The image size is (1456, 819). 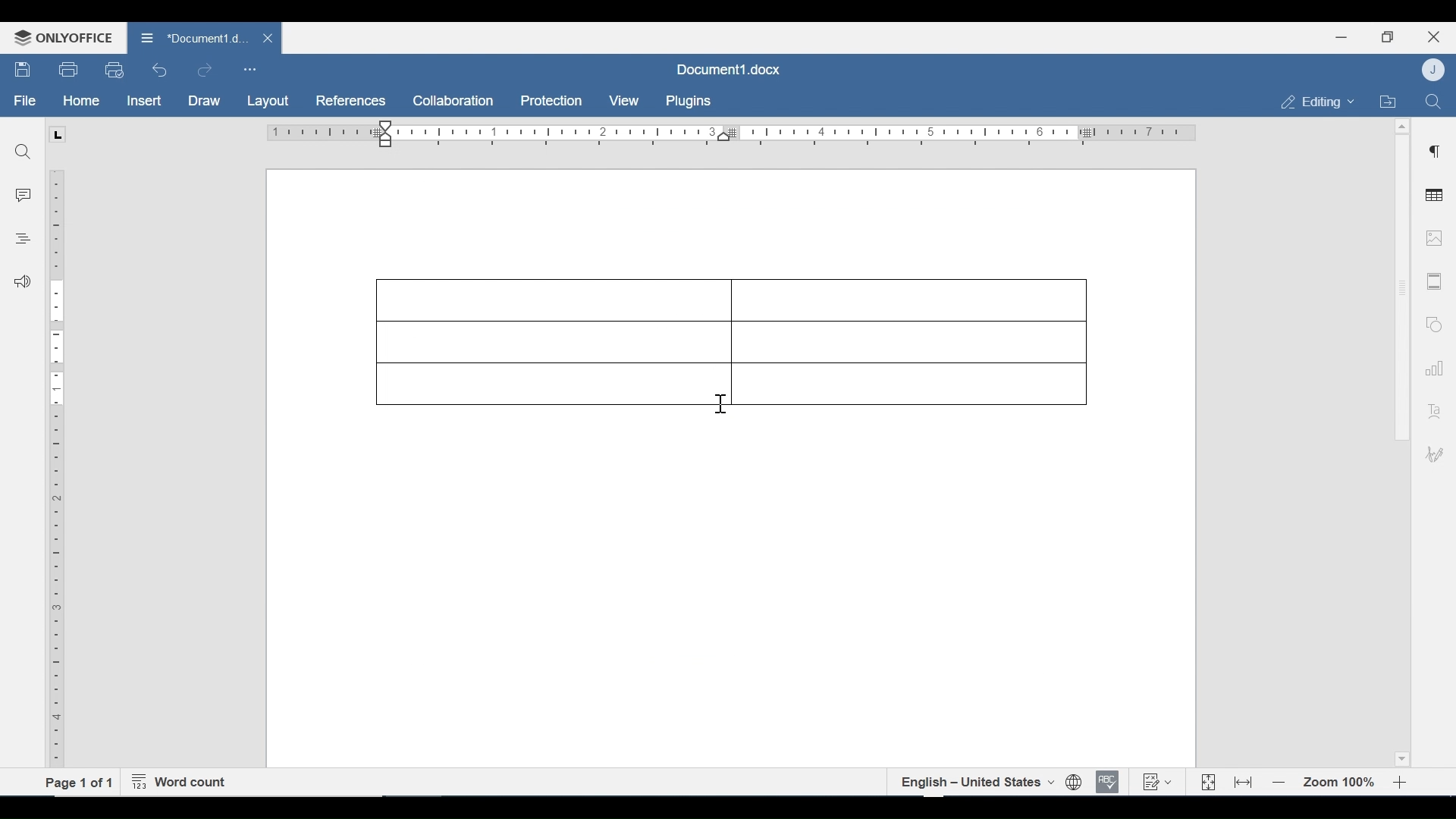 What do you see at coordinates (1387, 37) in the screenshot?
I see `Restore` at bounding box center [1387, 37].